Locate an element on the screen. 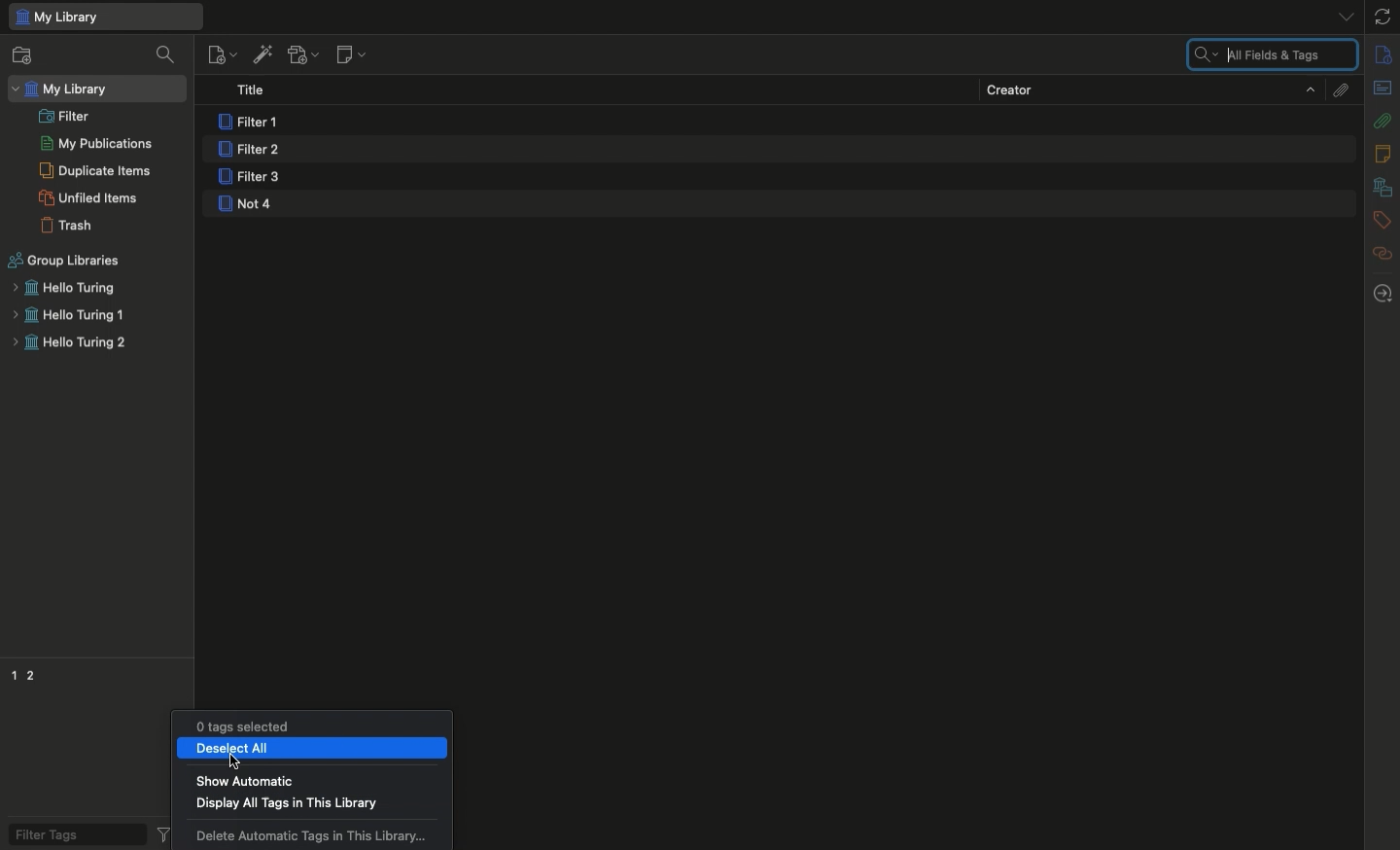 The image size is (1400, 850). Abstract is located at coordinates (1382, 89).